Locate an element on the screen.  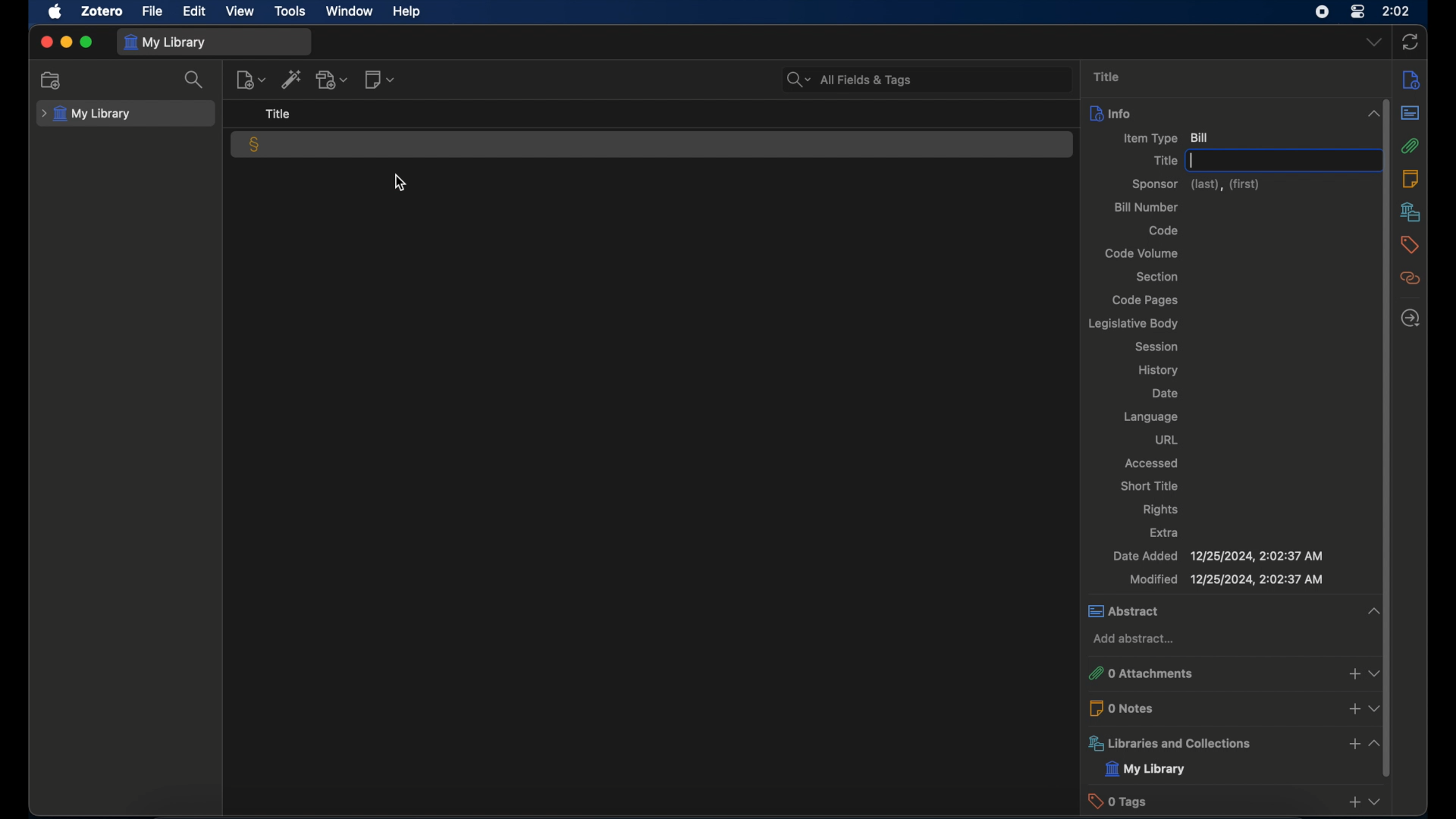
control center is located at coordinates (1359, 11).